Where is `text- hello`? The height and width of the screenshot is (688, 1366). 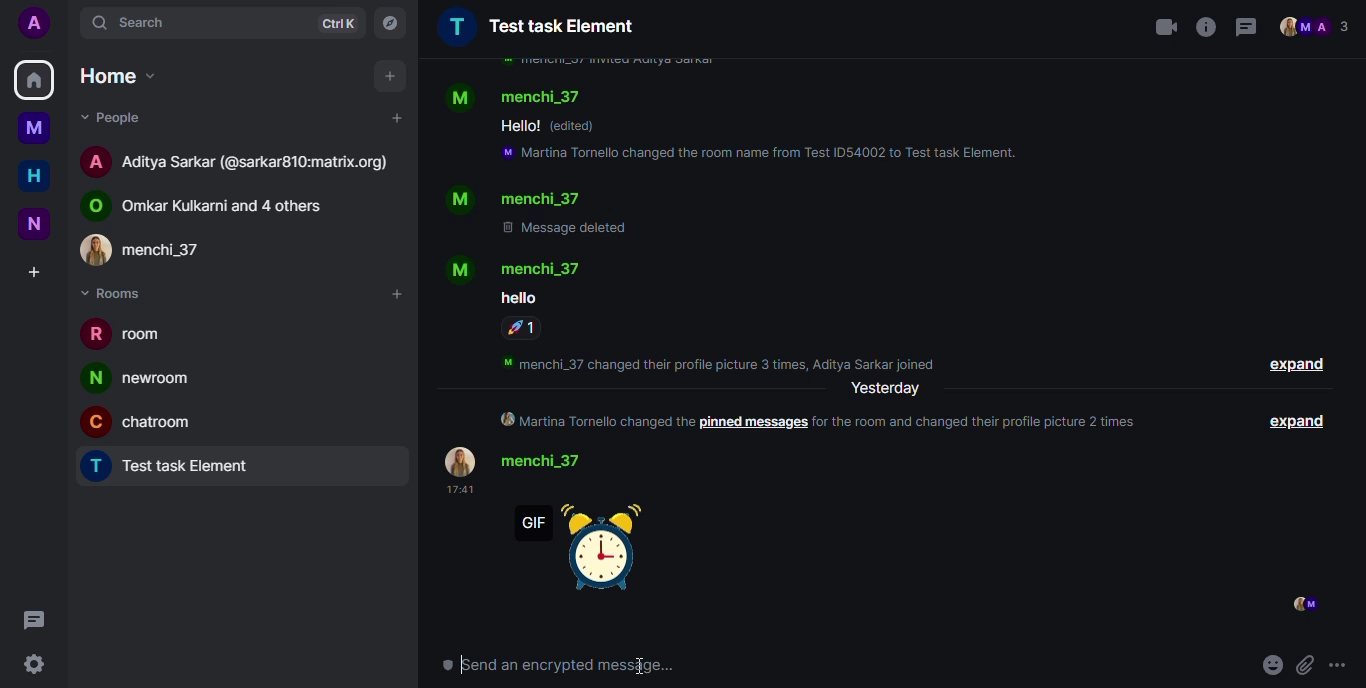
text- hello is located at coordinates (519, 126).